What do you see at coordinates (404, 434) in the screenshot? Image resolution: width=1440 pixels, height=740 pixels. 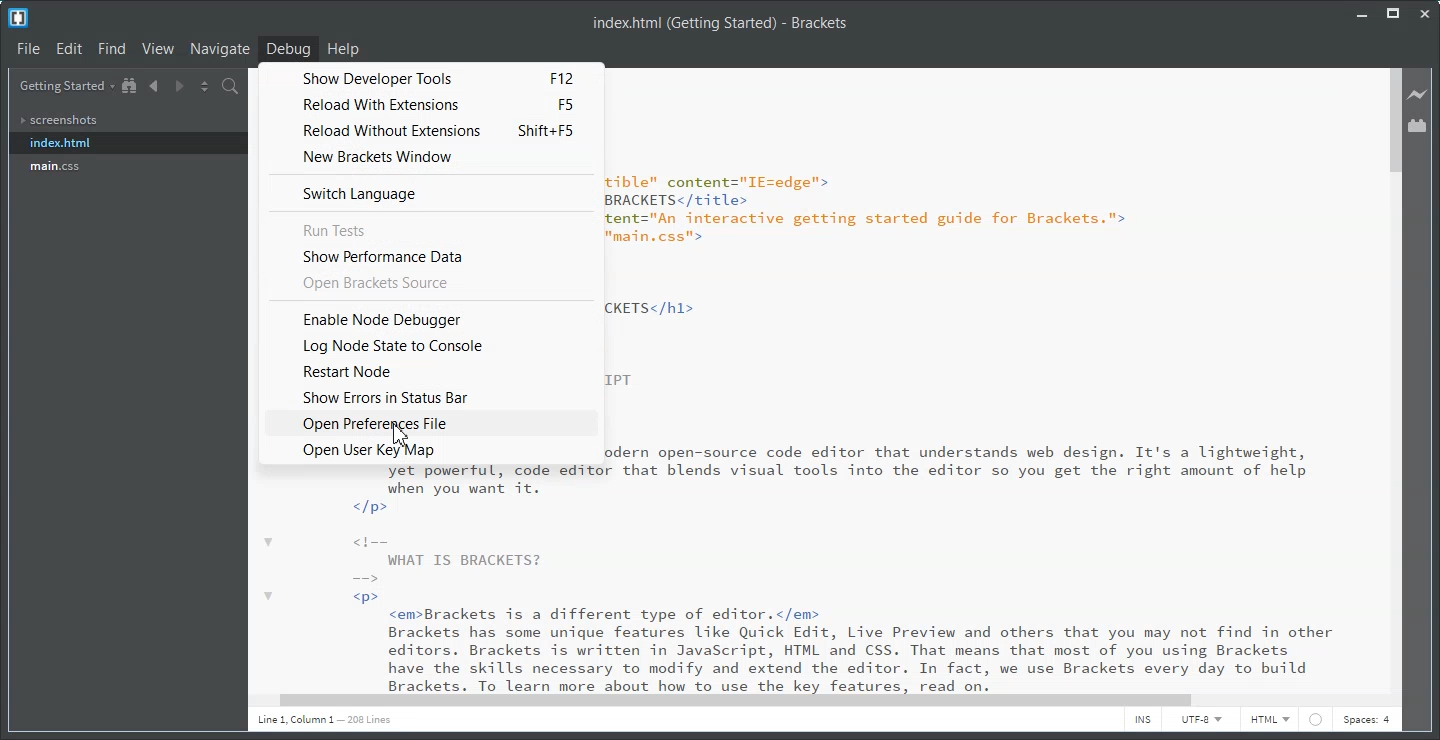 I see `cursor` at bounding box center [404, 434].